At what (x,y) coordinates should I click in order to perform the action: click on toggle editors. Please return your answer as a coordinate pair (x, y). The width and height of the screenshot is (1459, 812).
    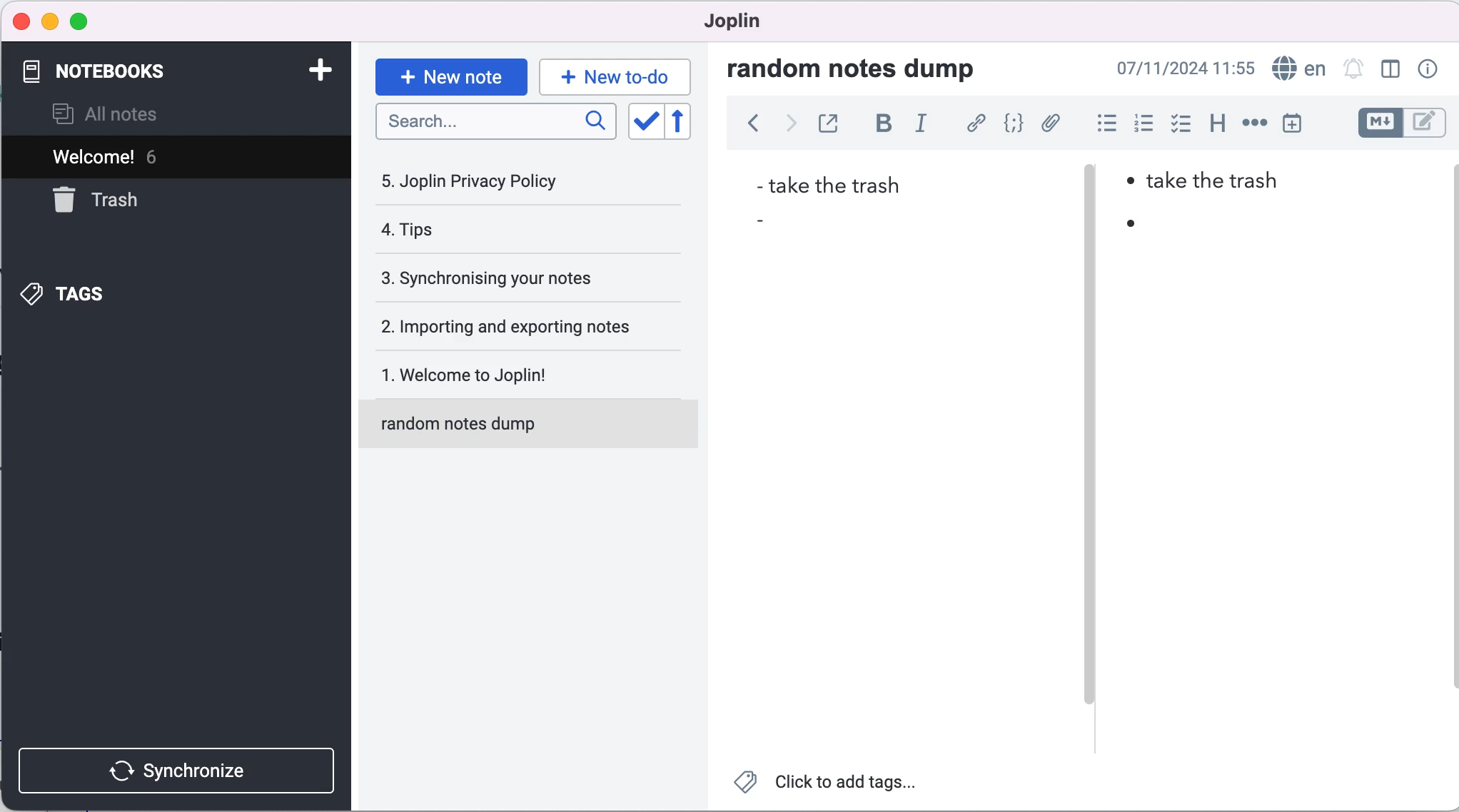
    Looking at the image, I should click on (1400, 125).